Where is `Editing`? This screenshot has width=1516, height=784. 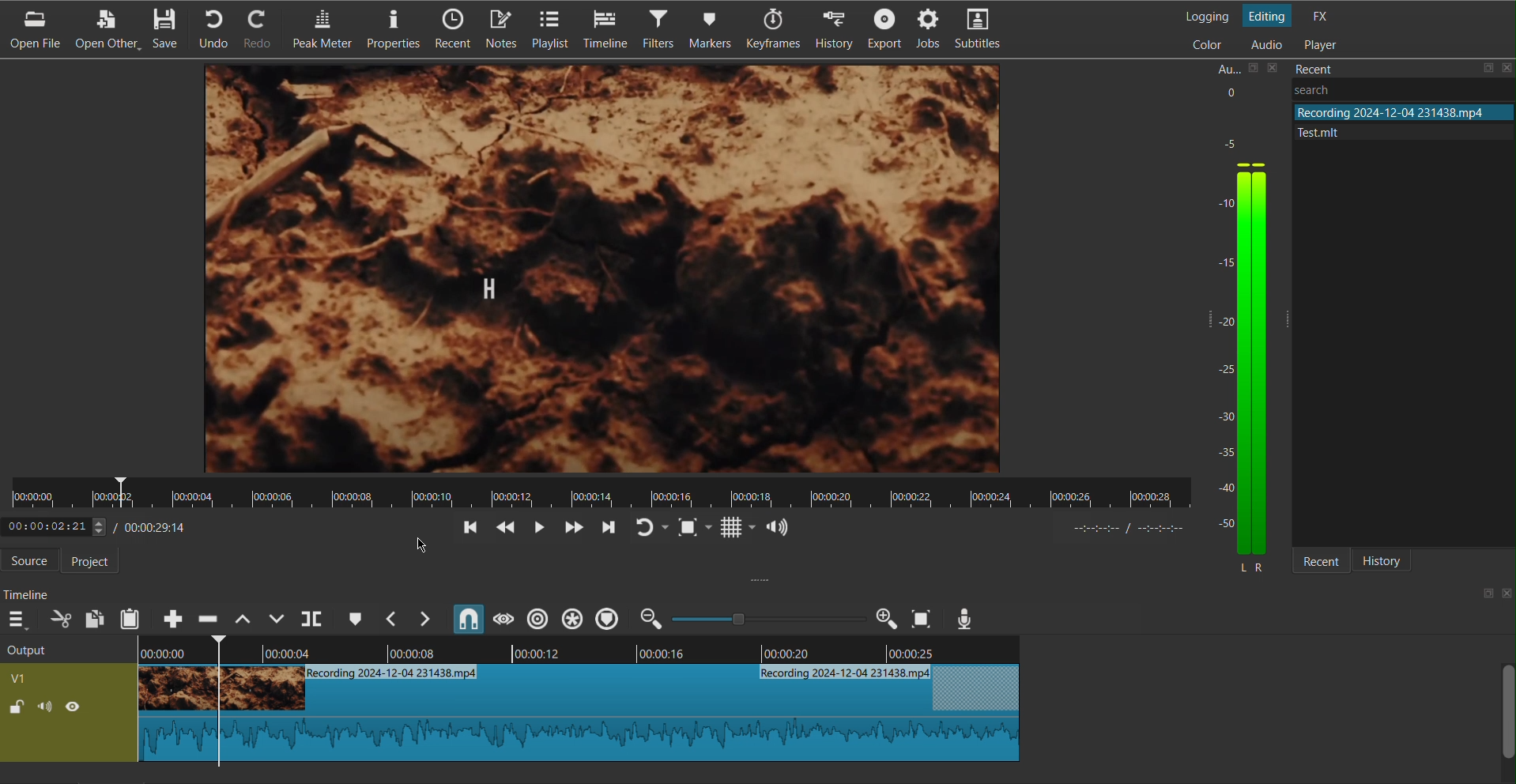
Editing is located at coordinates (1270, 14).